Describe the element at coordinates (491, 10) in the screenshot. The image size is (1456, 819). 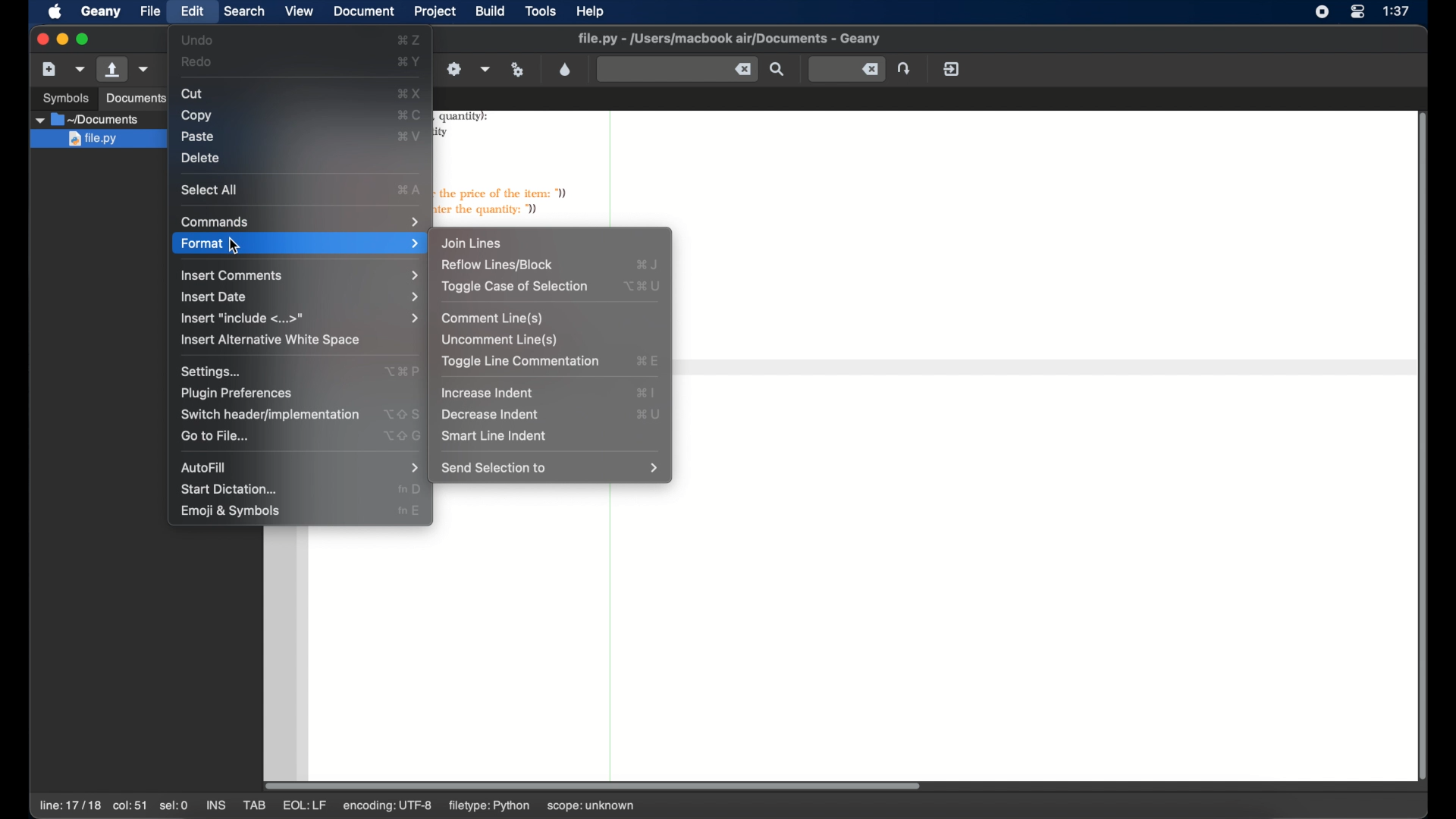
I see `build` at that location.